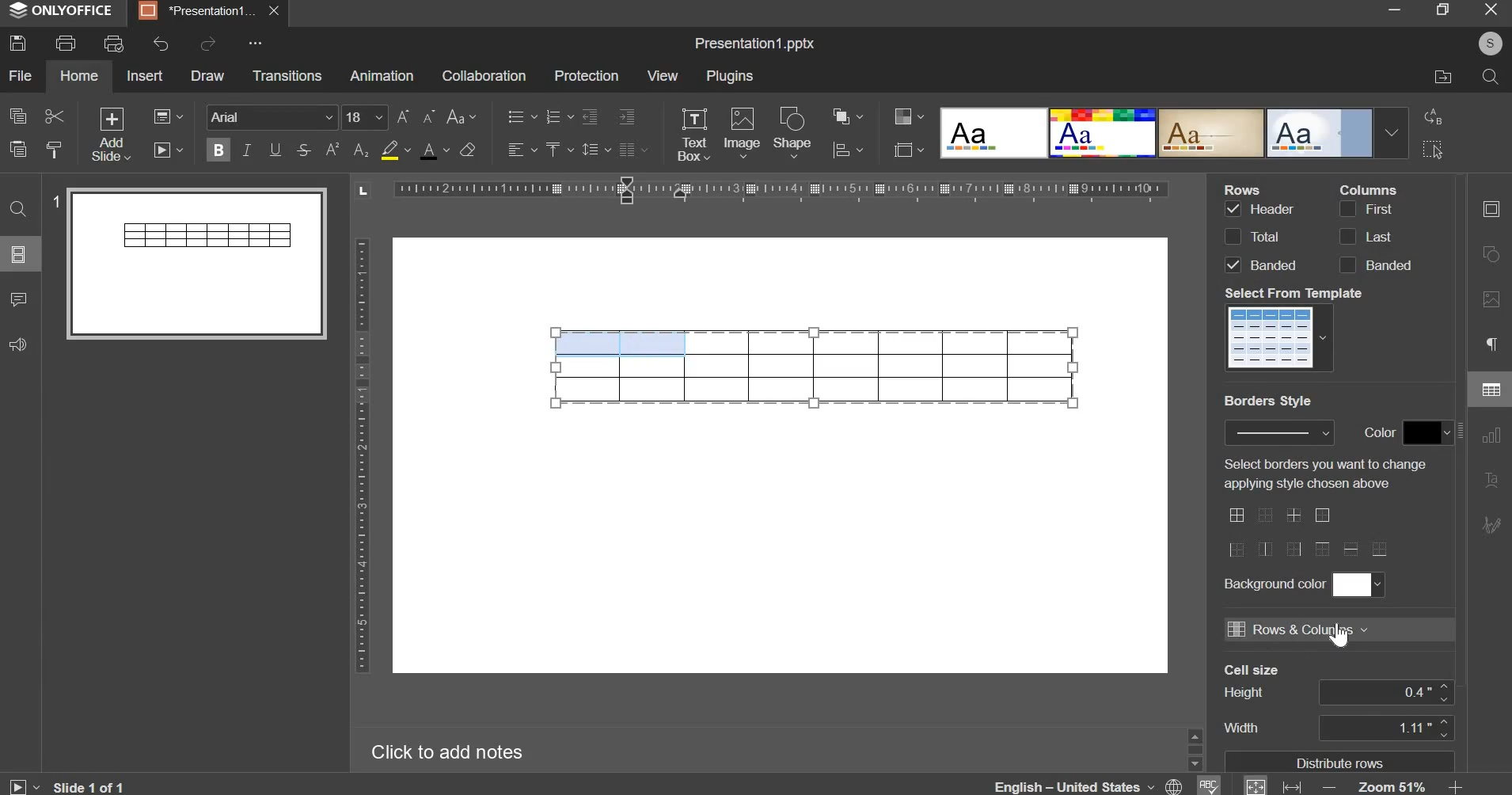 The width and height of the screenshot is (1512, 795). I want to click on comments, so click(18, 299).